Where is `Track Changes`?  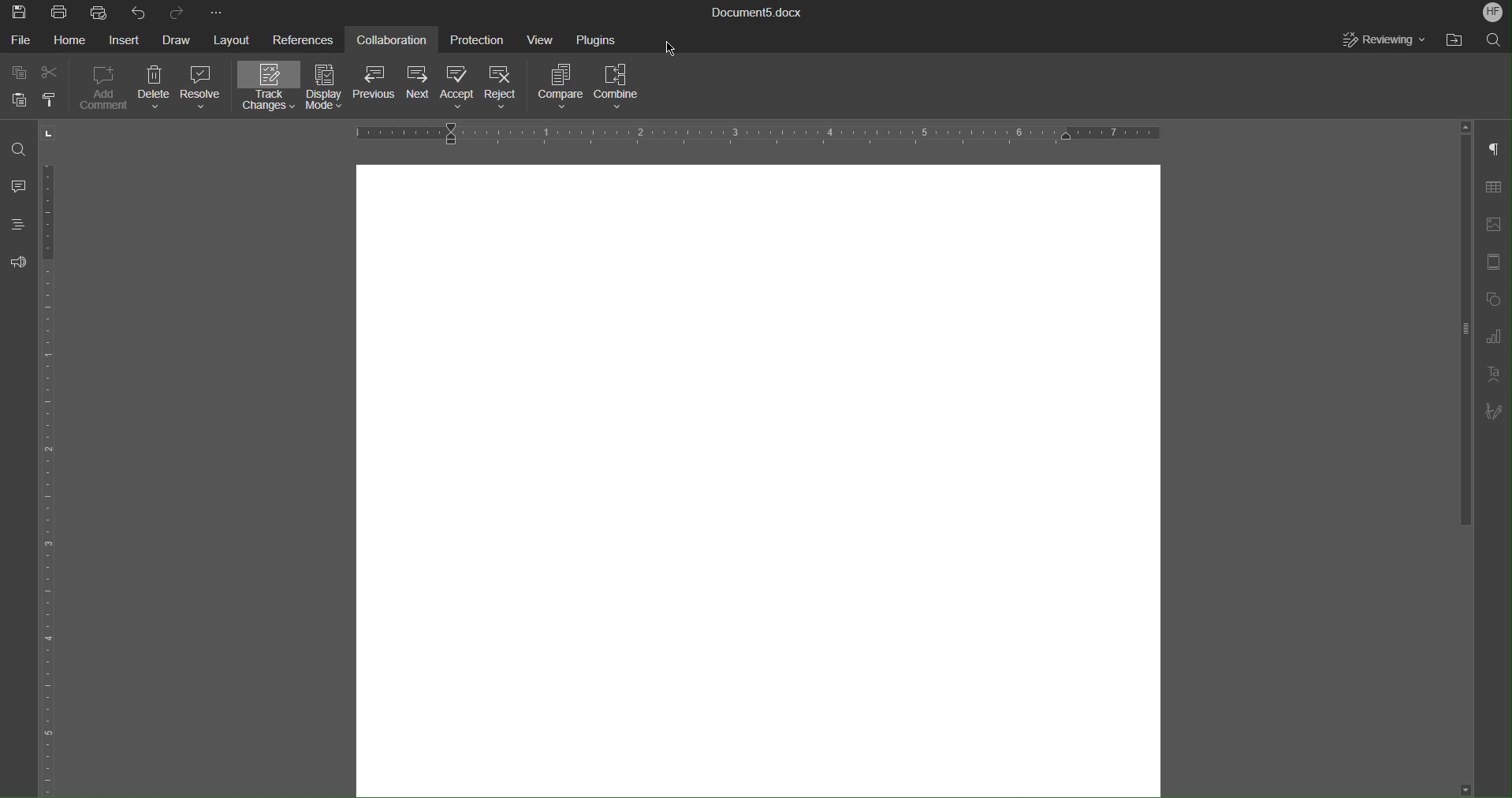
Track Changes is located at coordinates (268, 90).